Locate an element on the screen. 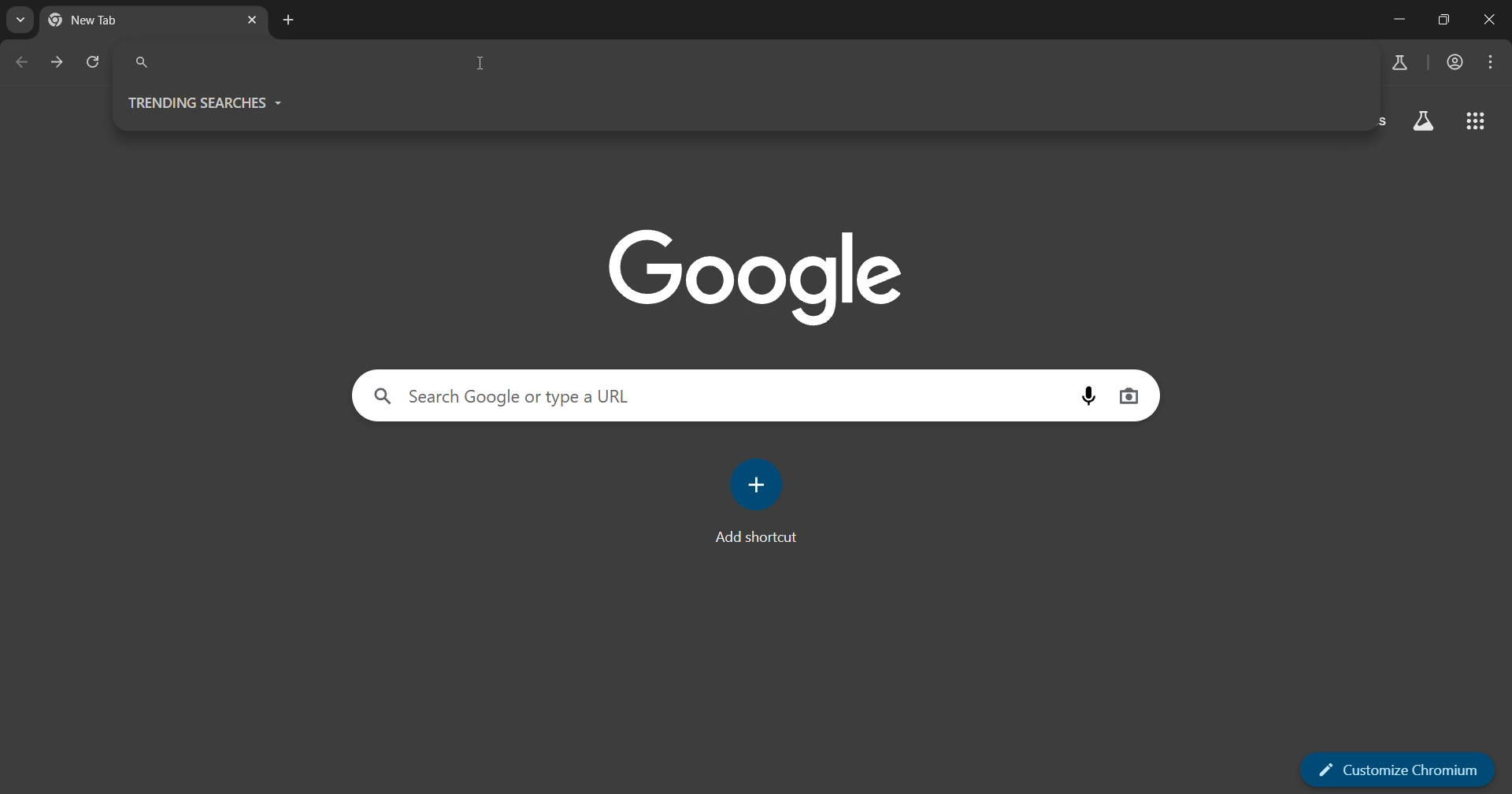  search google or type a URL is located at coordinates (746, 61).